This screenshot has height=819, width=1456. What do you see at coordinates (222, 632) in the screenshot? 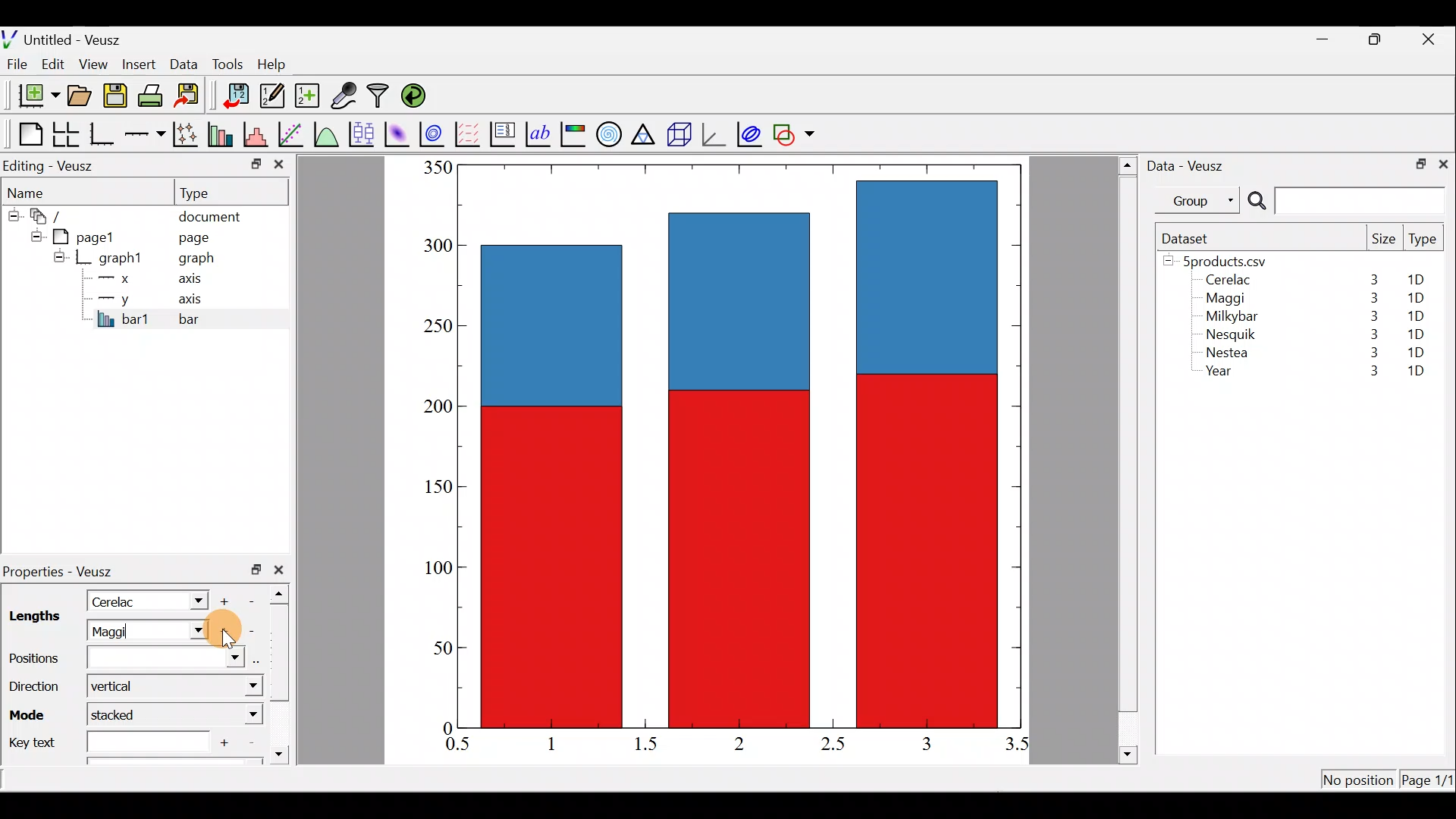
I see `Add another item` at bounding box center [222, 632].